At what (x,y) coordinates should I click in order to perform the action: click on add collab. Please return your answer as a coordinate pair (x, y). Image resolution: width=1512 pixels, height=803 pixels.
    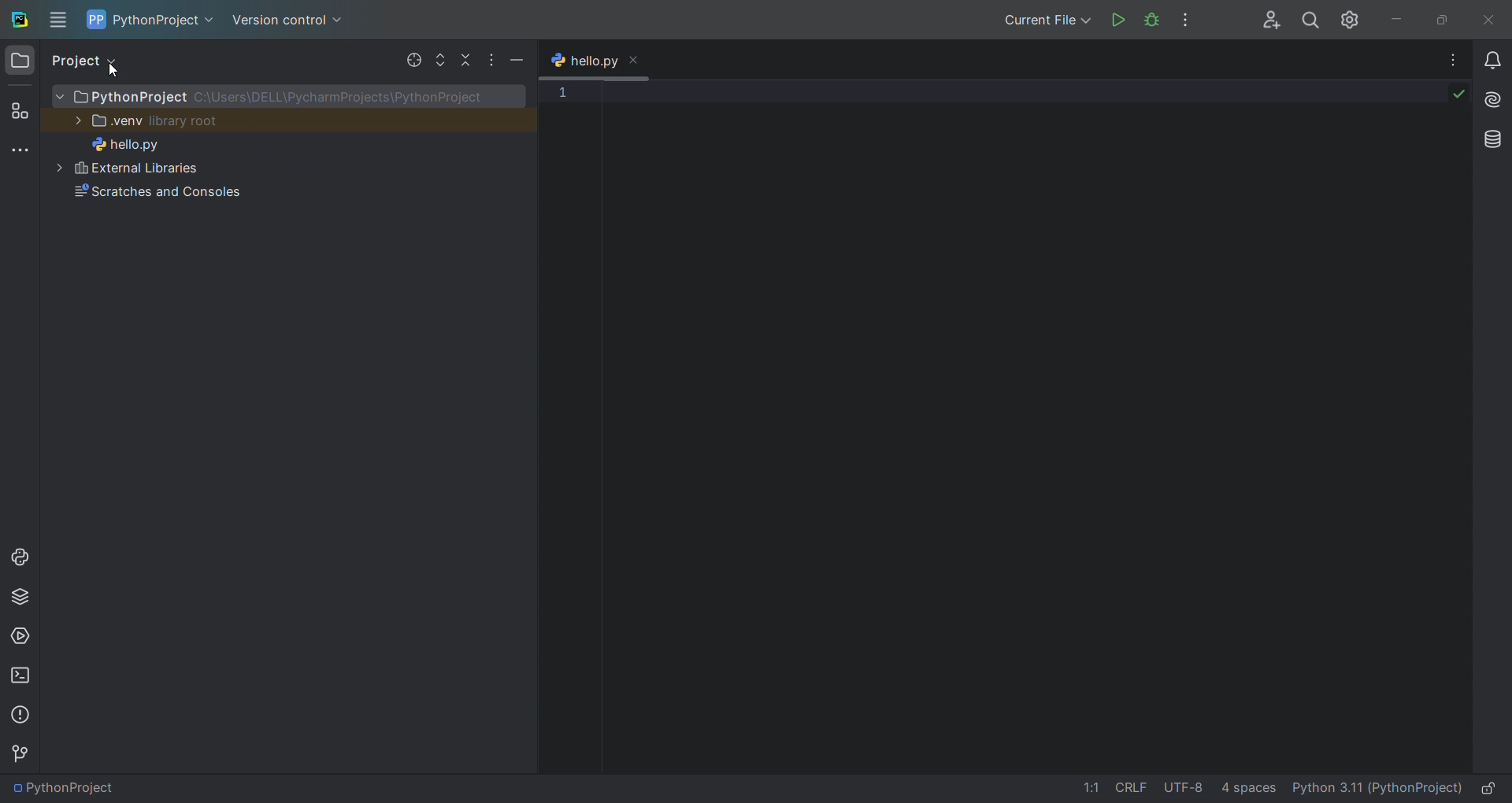
    Looking at the image, I should click on (1263, 20).